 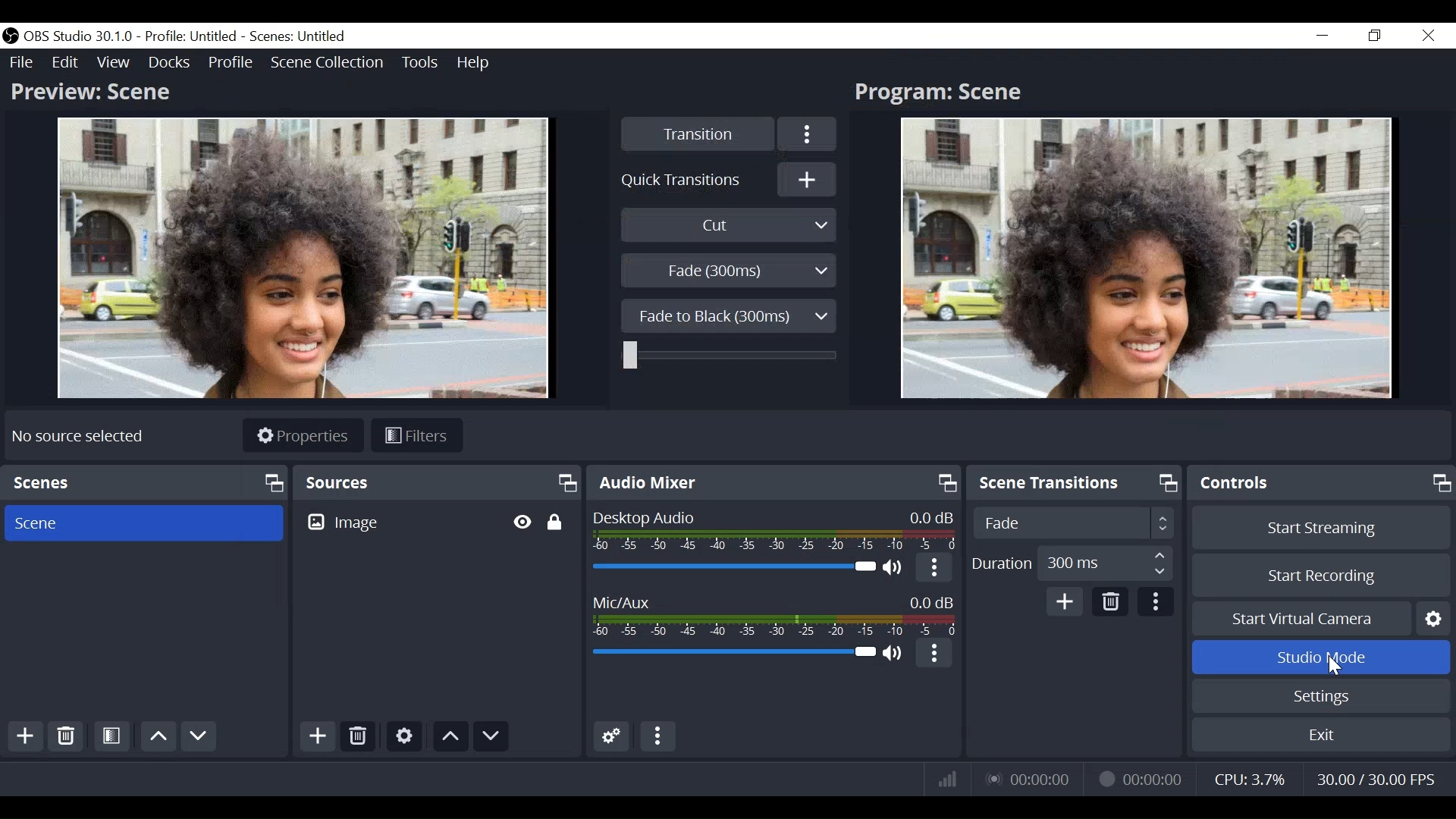 What do you see at coordinates (11, 35) in the screenshot?
I see `OBS Studios Desktop Icon` at bounding box center [11, 35].